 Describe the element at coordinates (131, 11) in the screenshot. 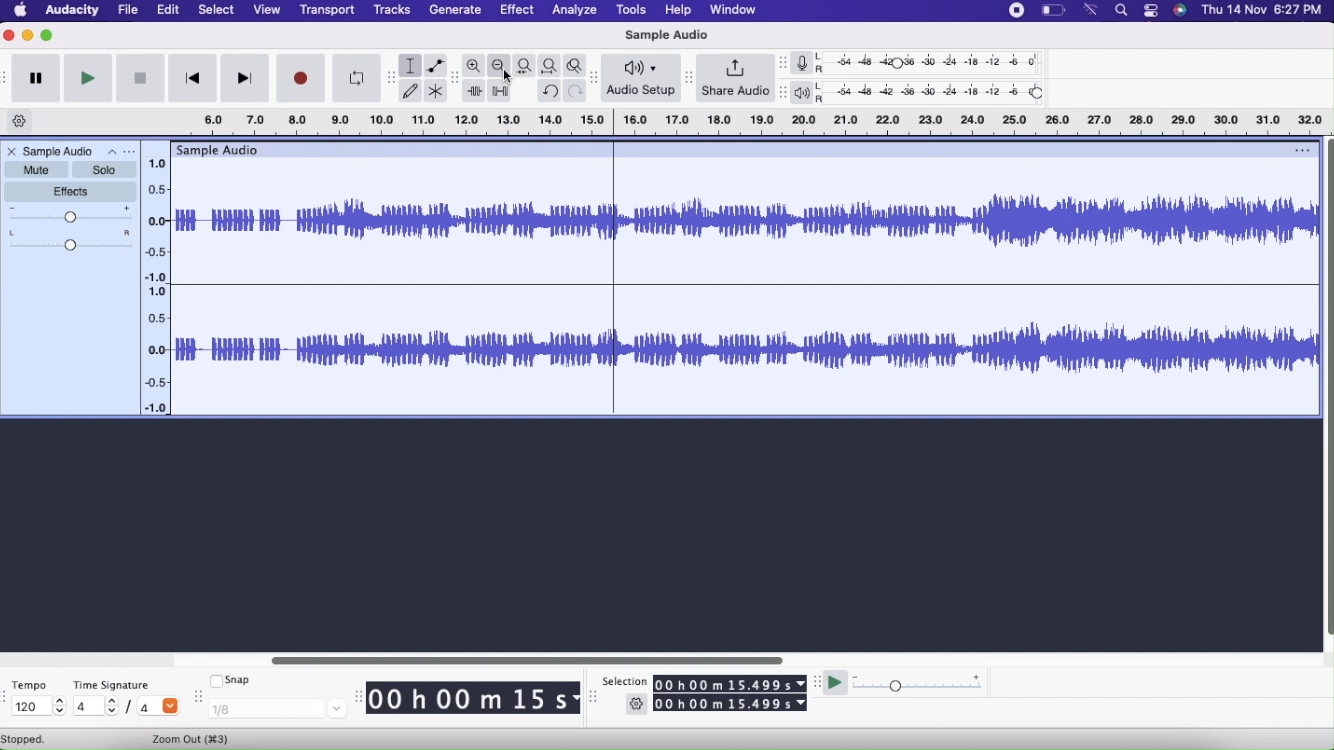

I see `File` at that location.